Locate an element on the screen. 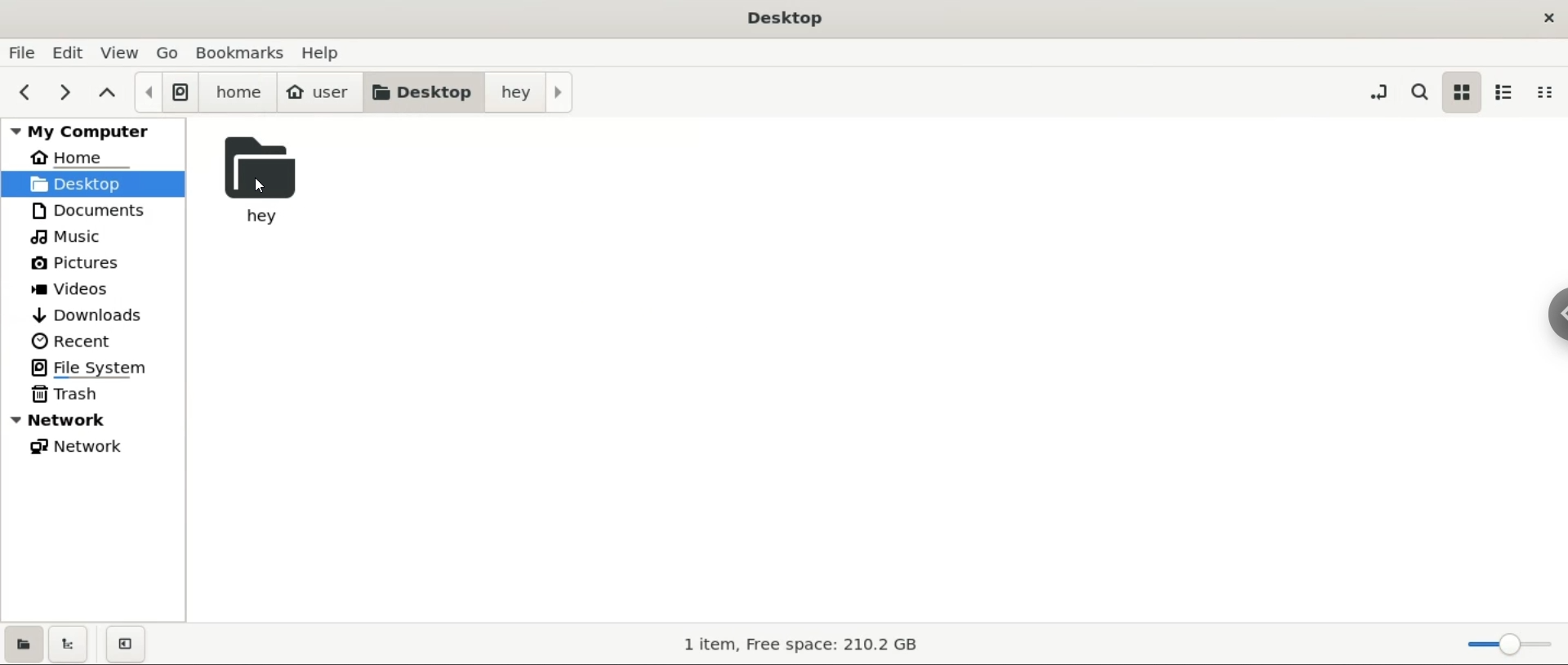  search is located at coordinates (1423, 91).